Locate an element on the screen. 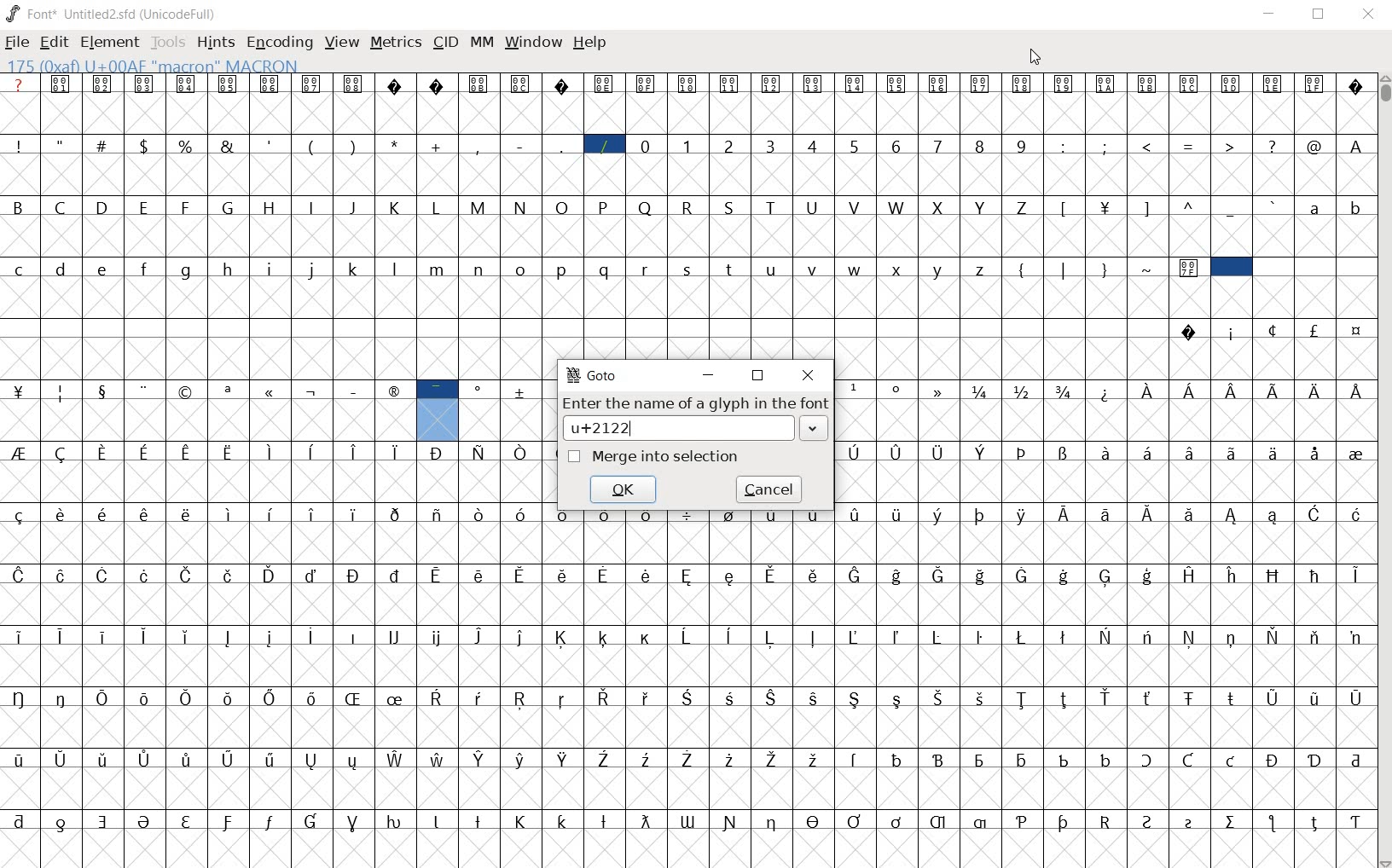 Image resolution: width=1392 pixels, height=868 pixels. WINDOW is located at coordinates (531, 43).